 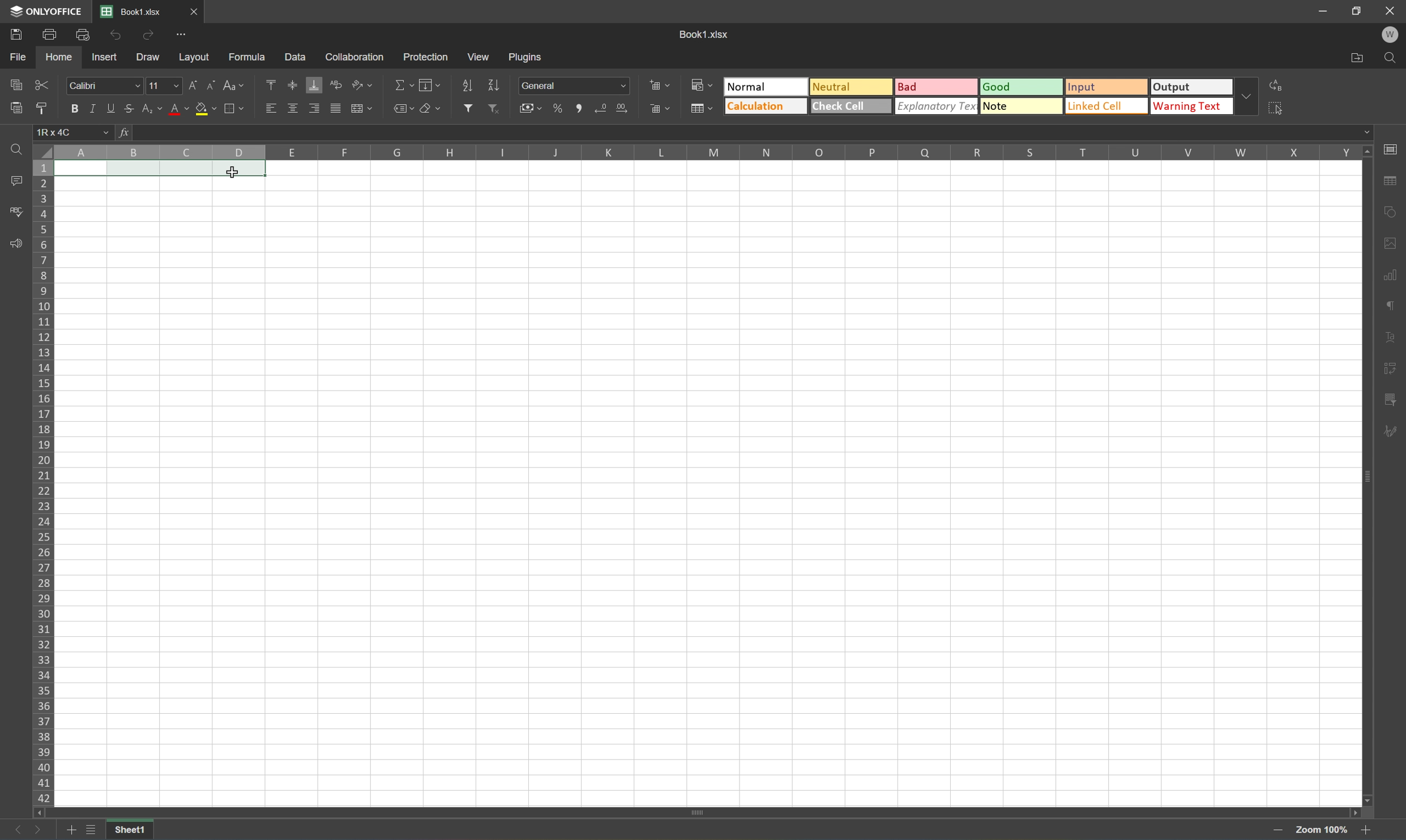 What do you see at coordinates (16, 243) in the screenshot?
I see `Feedback and support` at bounding box center [16, 243].